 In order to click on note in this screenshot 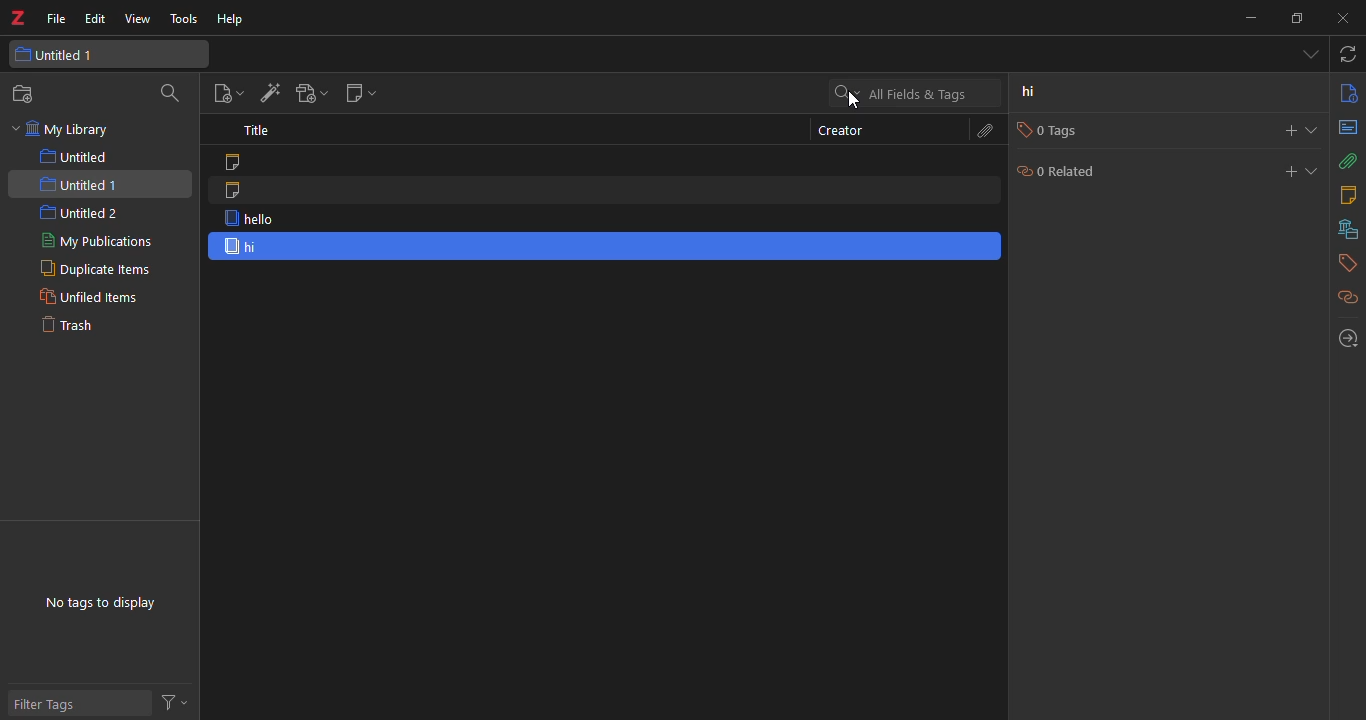, I will do `click(235, 190)`.